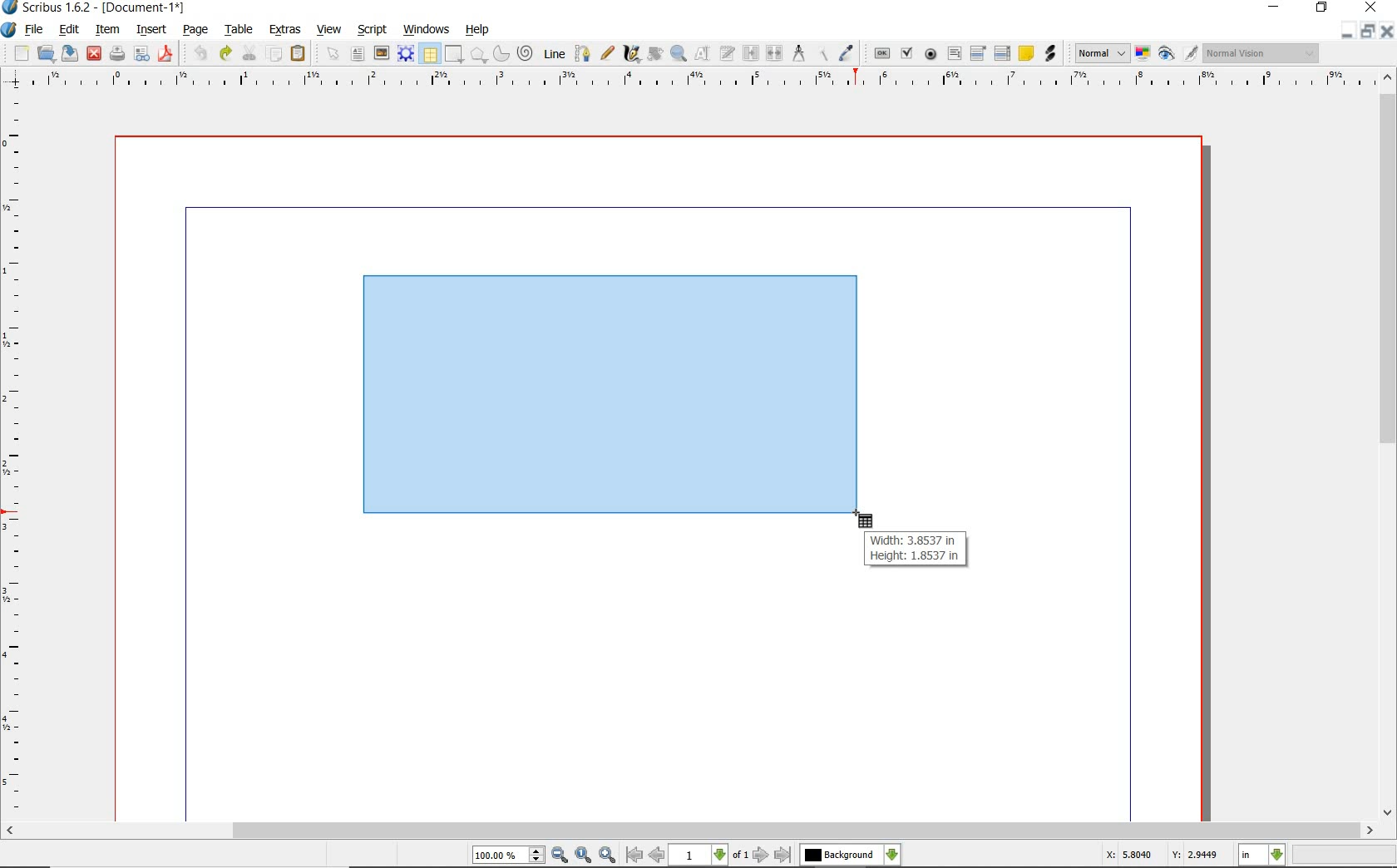 Image resolution: width=1397 pixels, height=868 pixels. Describe the element at coordinates (479, 56) in the screenshot. I see `shape` at that location.